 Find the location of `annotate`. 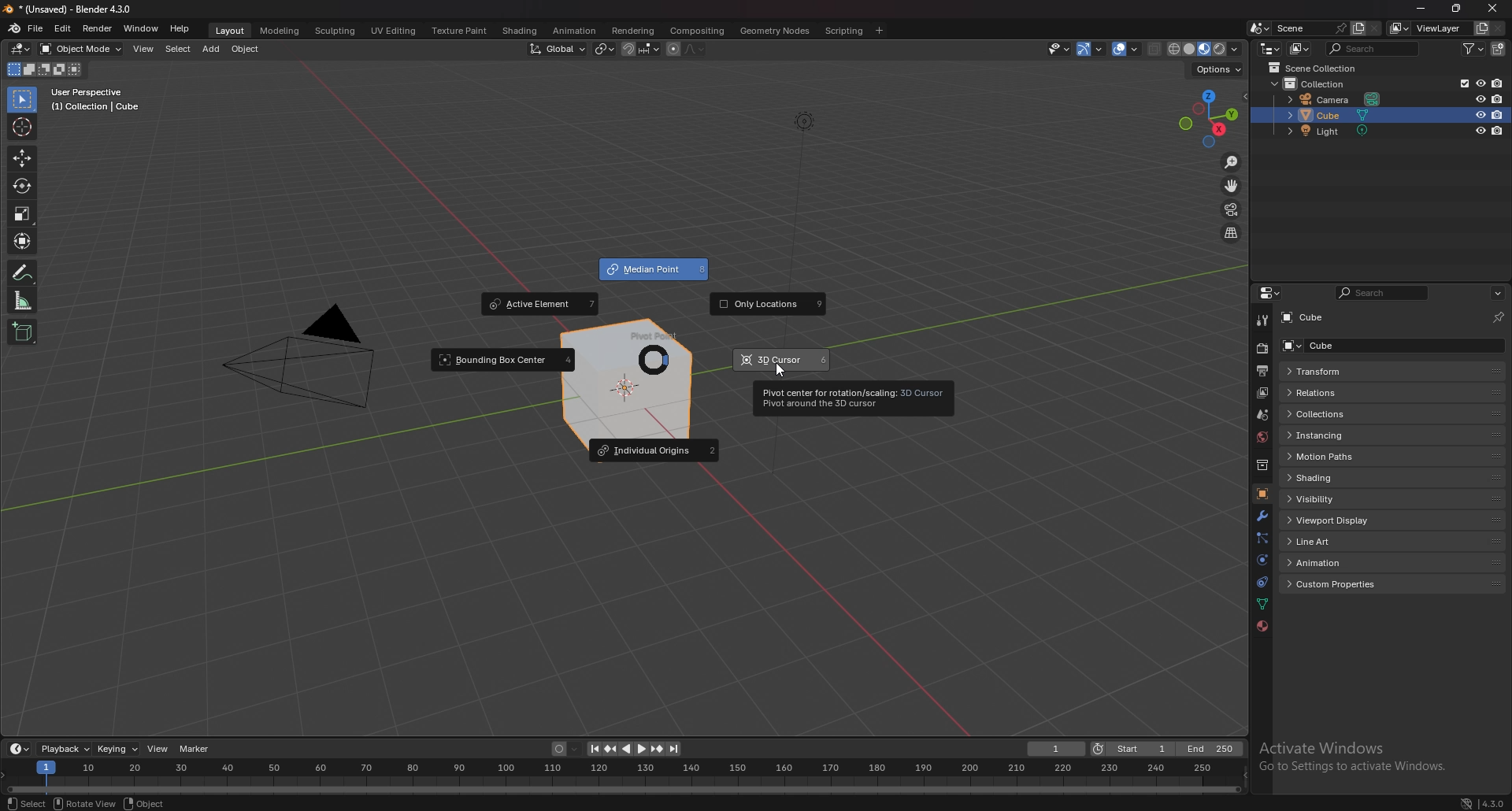

annotate is located at coordinates (21, 272).